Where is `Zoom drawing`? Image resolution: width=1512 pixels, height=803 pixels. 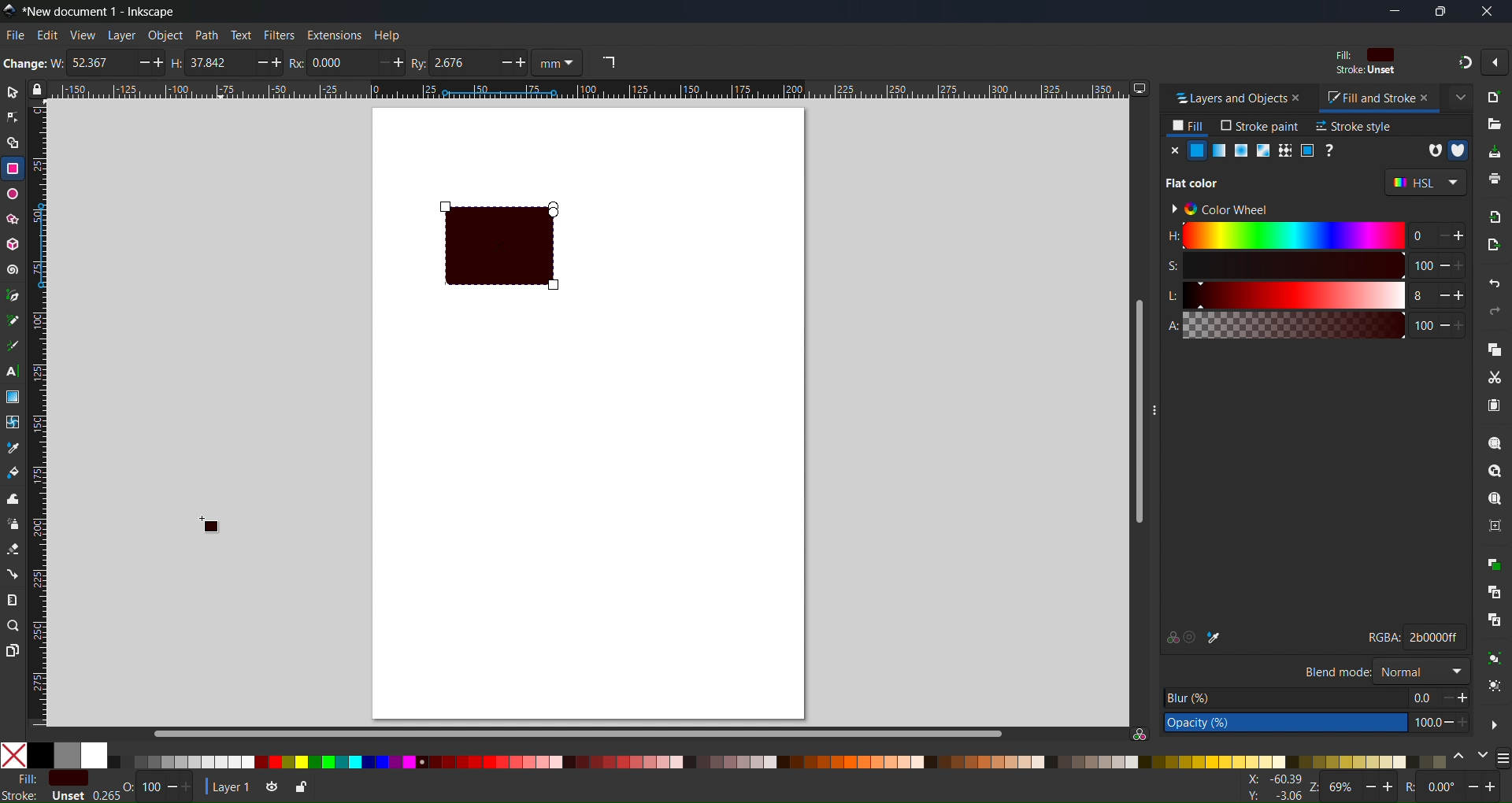 Zoom drawing is located at coordinates (1494, 472).